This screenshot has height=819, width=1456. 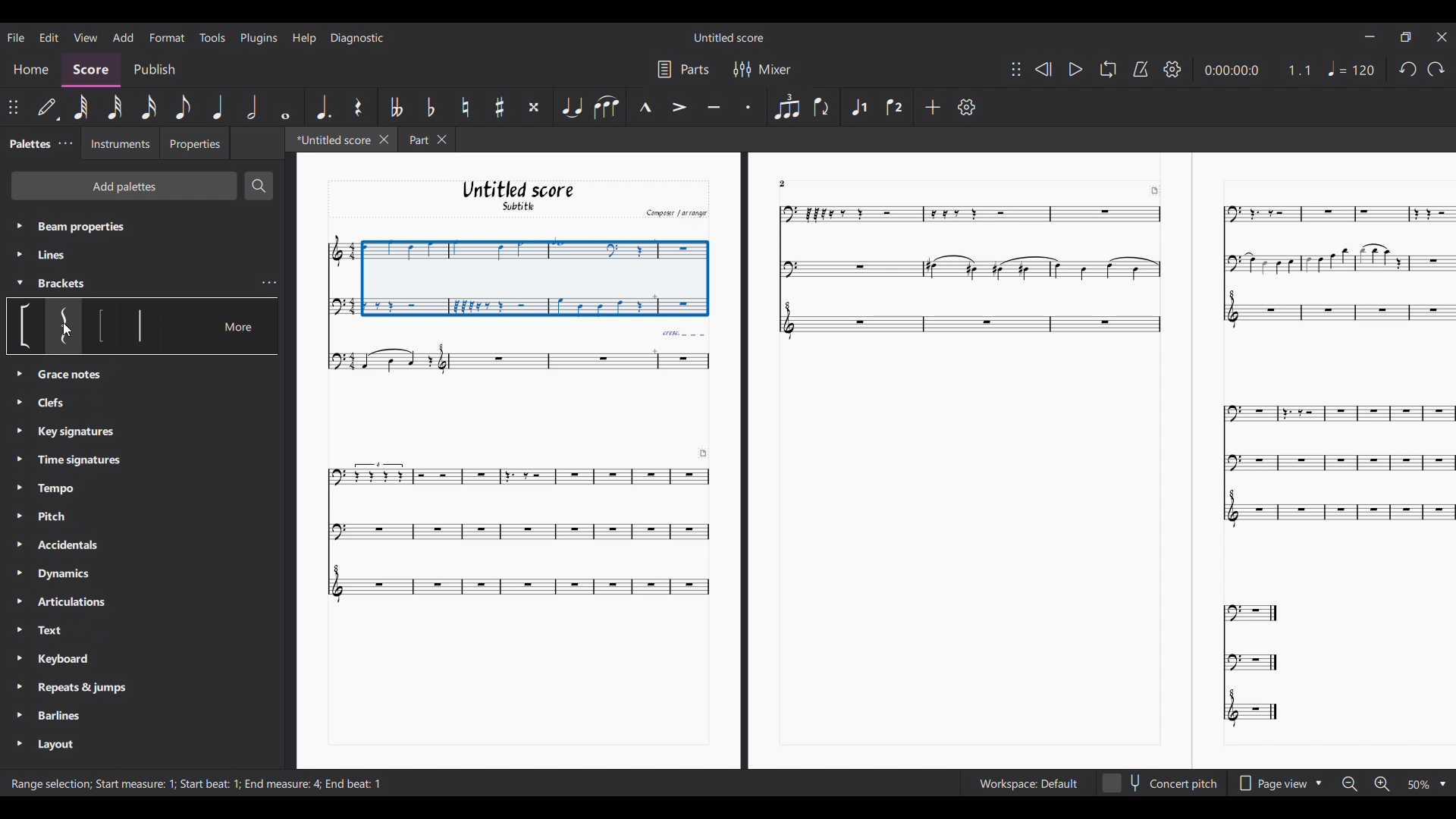 I want to click on range selection ;, so click(x=47, y=785).